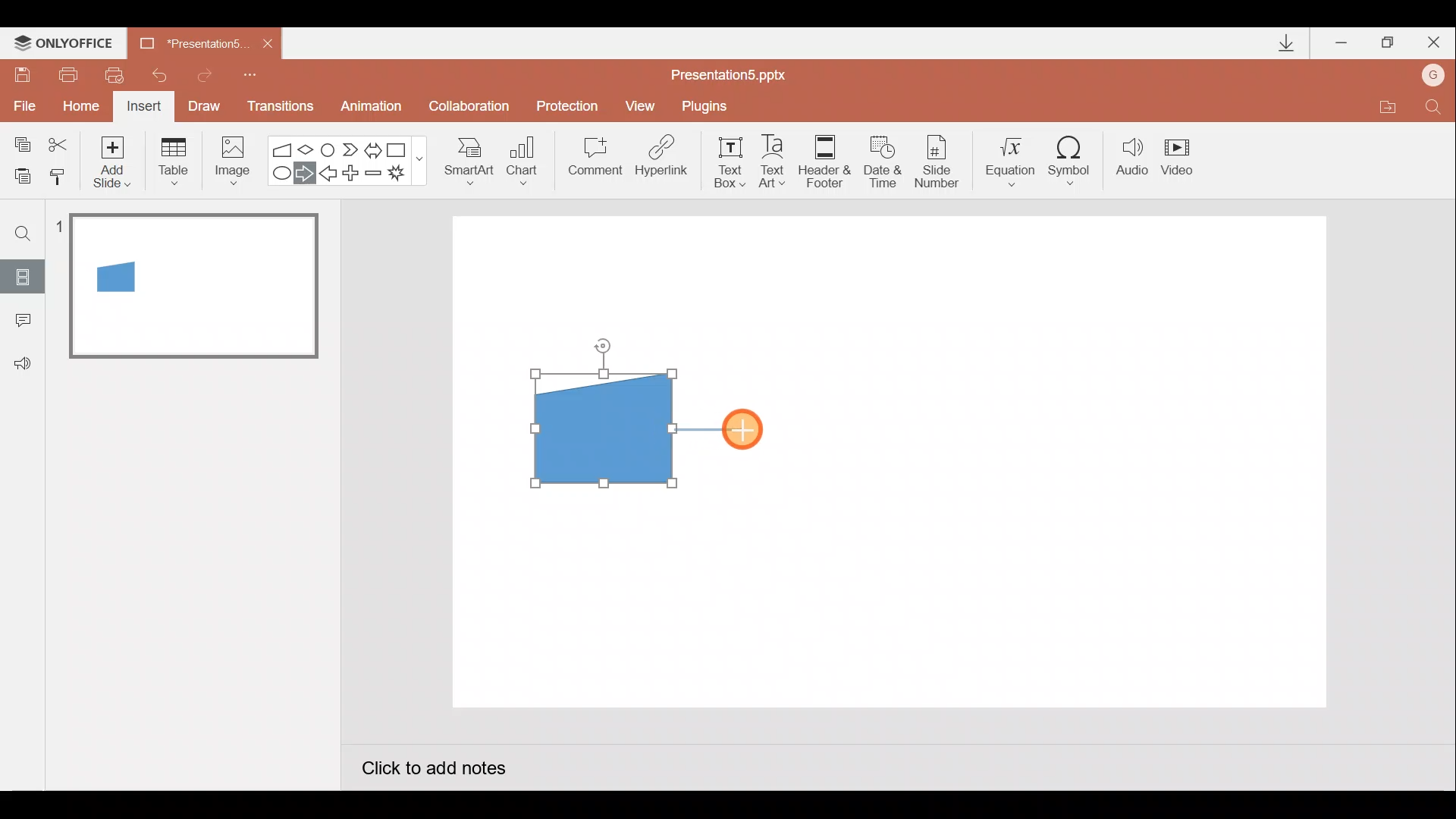 The image size is (1456, 819). What do you see at coordinates (308, 149) in the screenshot?
I see `Flow chart-decision` at bounding box center [308, 149].